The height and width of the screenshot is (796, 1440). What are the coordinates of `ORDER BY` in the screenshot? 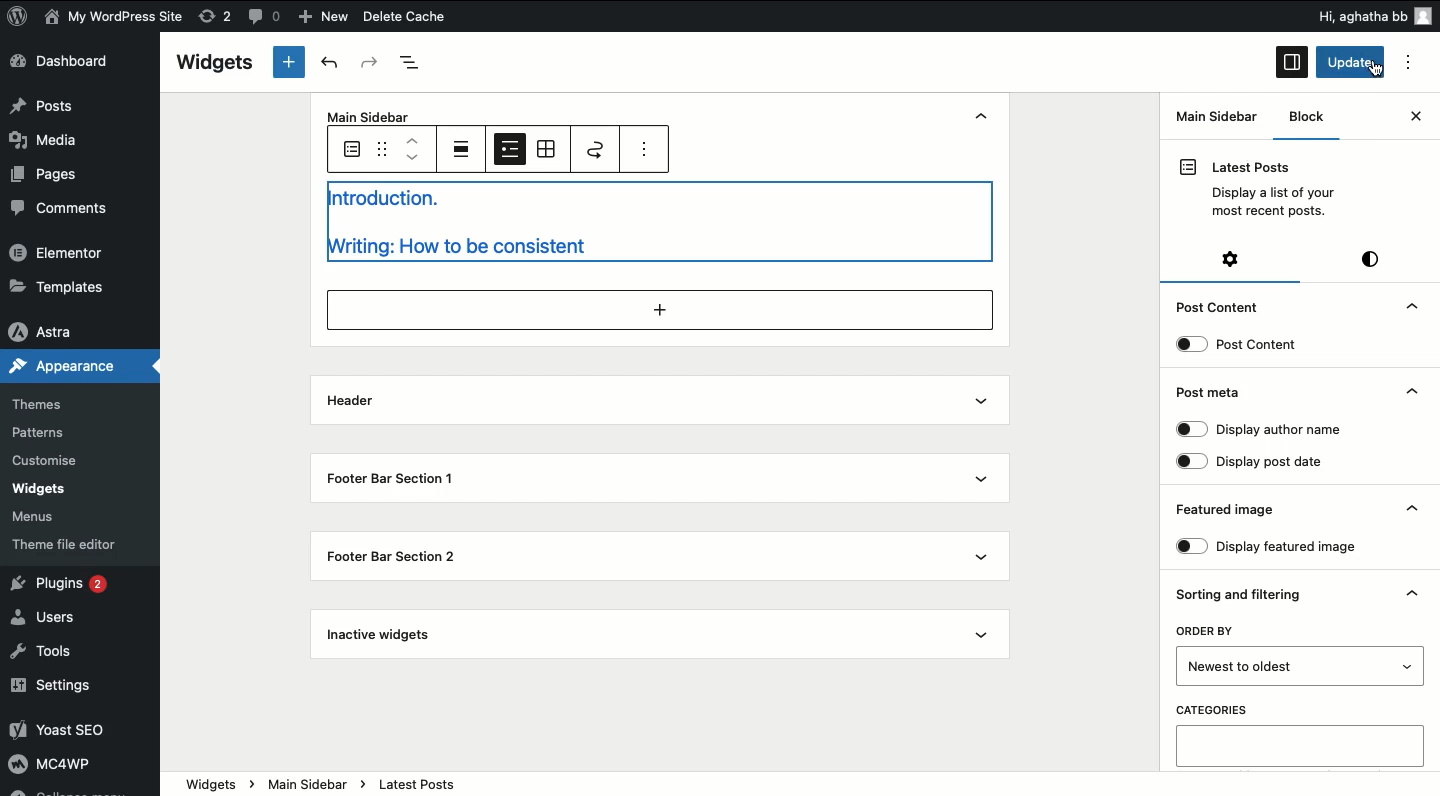 It's located at (1213, 631).